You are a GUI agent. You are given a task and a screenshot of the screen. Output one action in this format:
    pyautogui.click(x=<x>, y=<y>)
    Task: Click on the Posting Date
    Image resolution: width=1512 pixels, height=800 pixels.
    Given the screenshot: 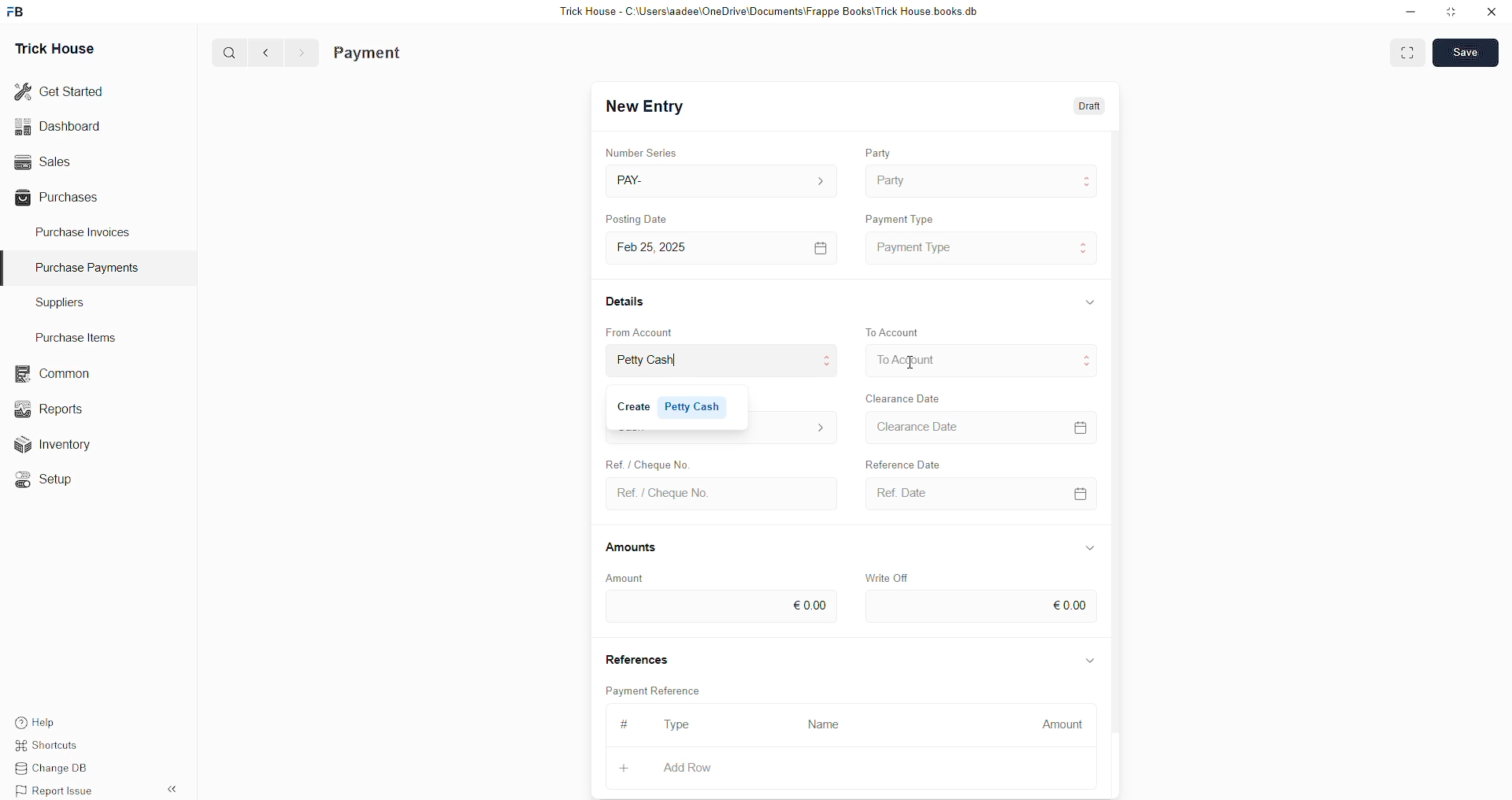 What is the action you would take?
    pyautogui.click(x=647, y=220)
    